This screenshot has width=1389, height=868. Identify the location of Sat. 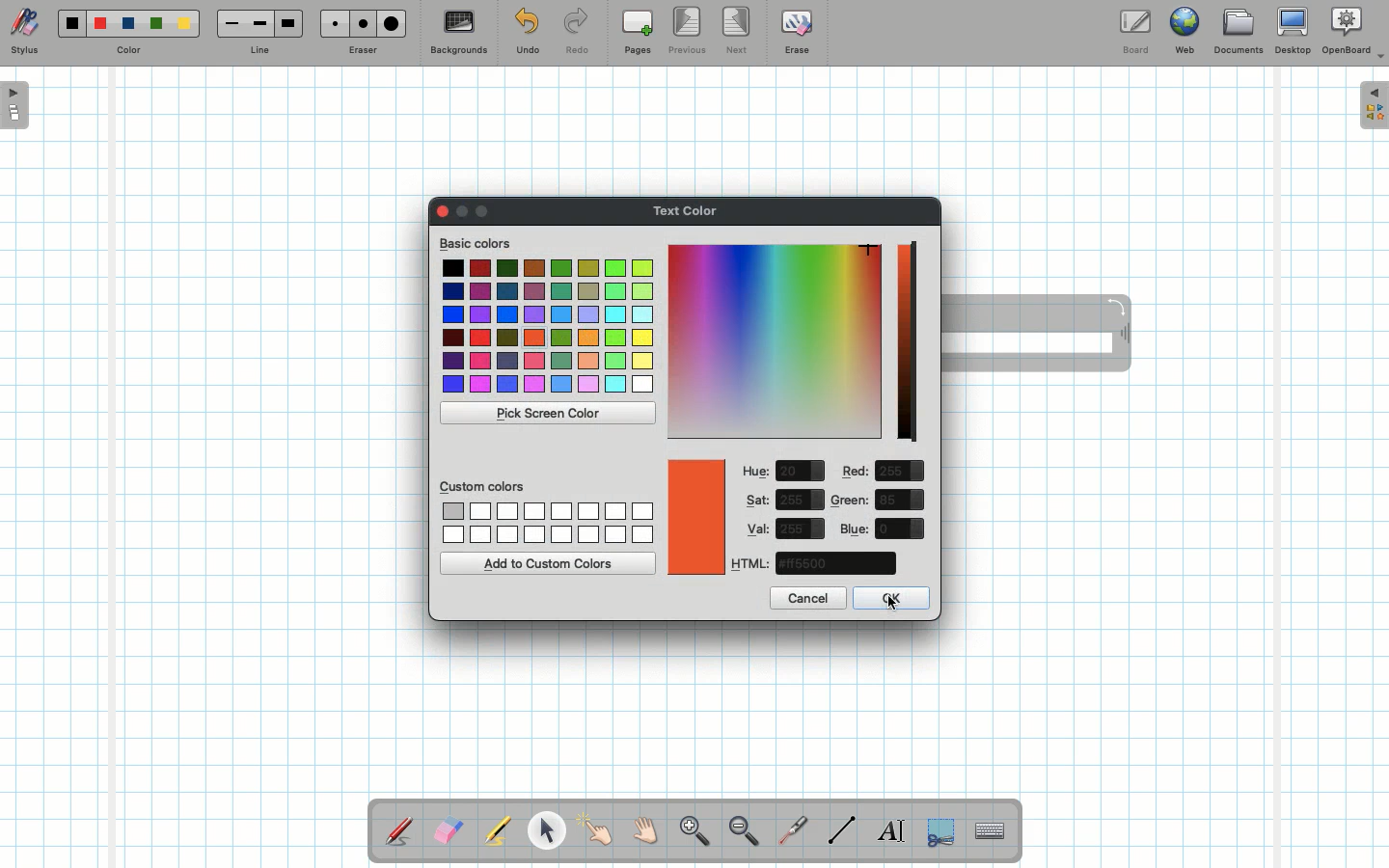
(758, 500).